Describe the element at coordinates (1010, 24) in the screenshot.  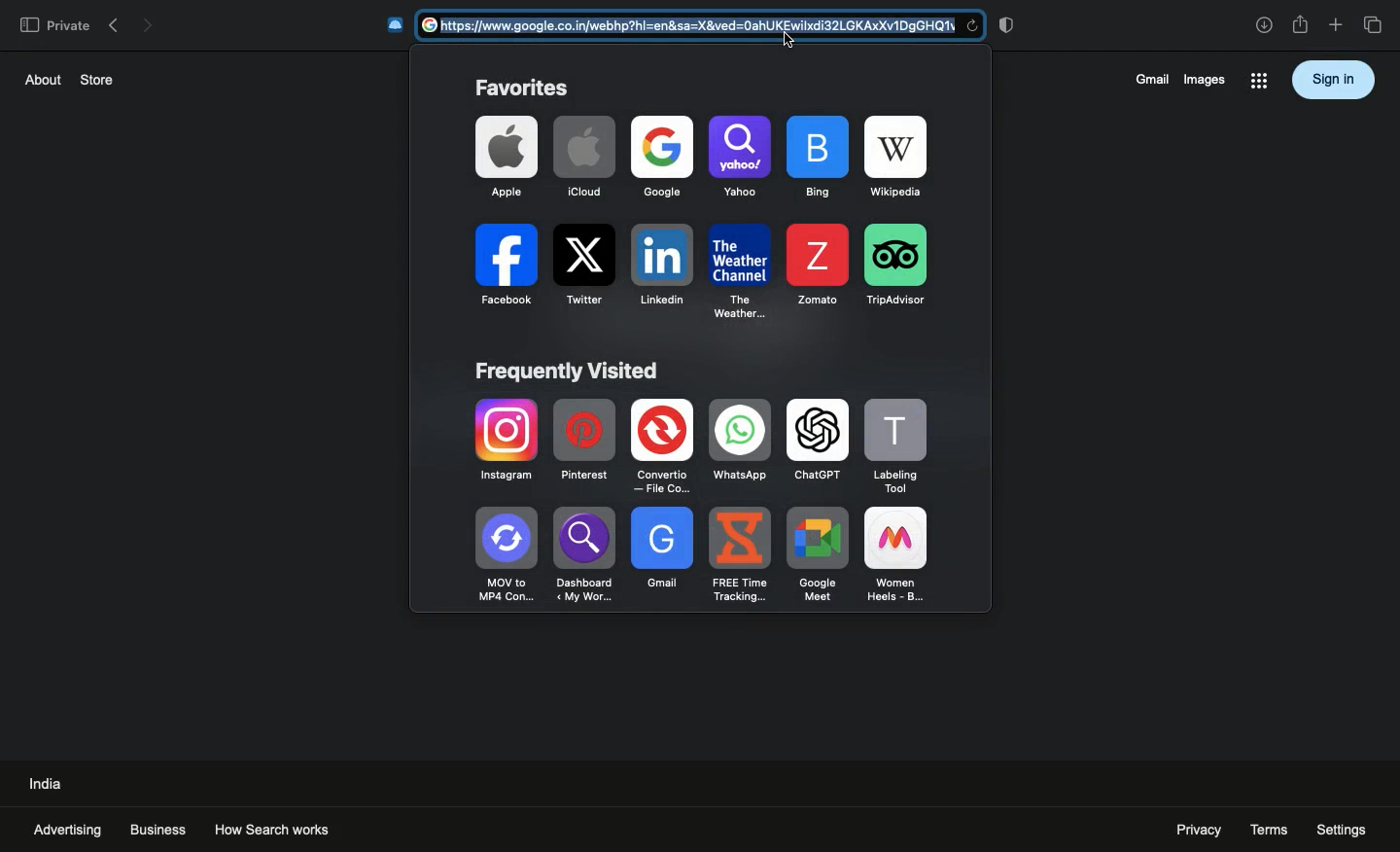
I see `badge` at that location.